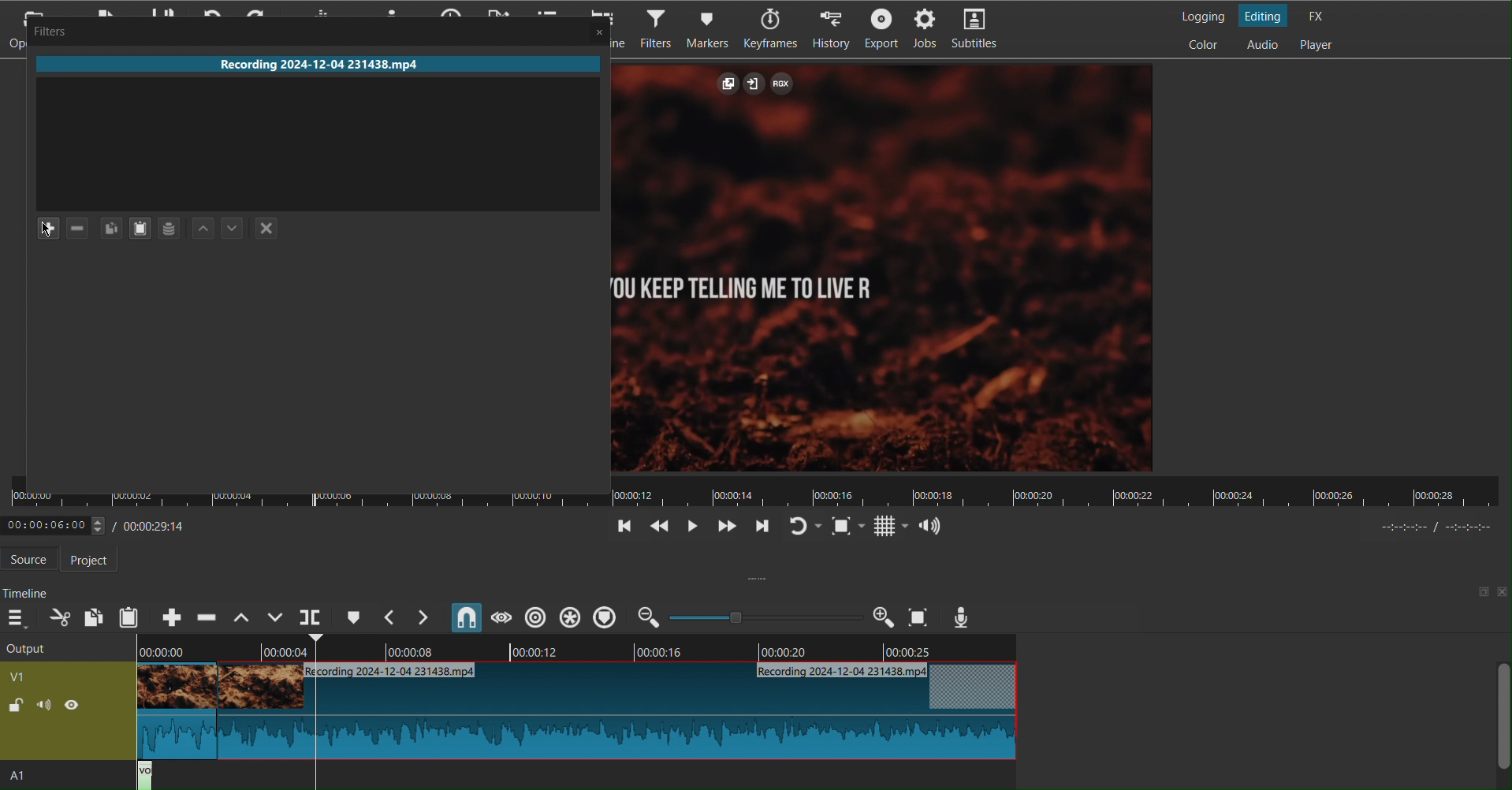  Describe the element at coordinates (690, 527) in the screenshot. I see `Play` at that location.